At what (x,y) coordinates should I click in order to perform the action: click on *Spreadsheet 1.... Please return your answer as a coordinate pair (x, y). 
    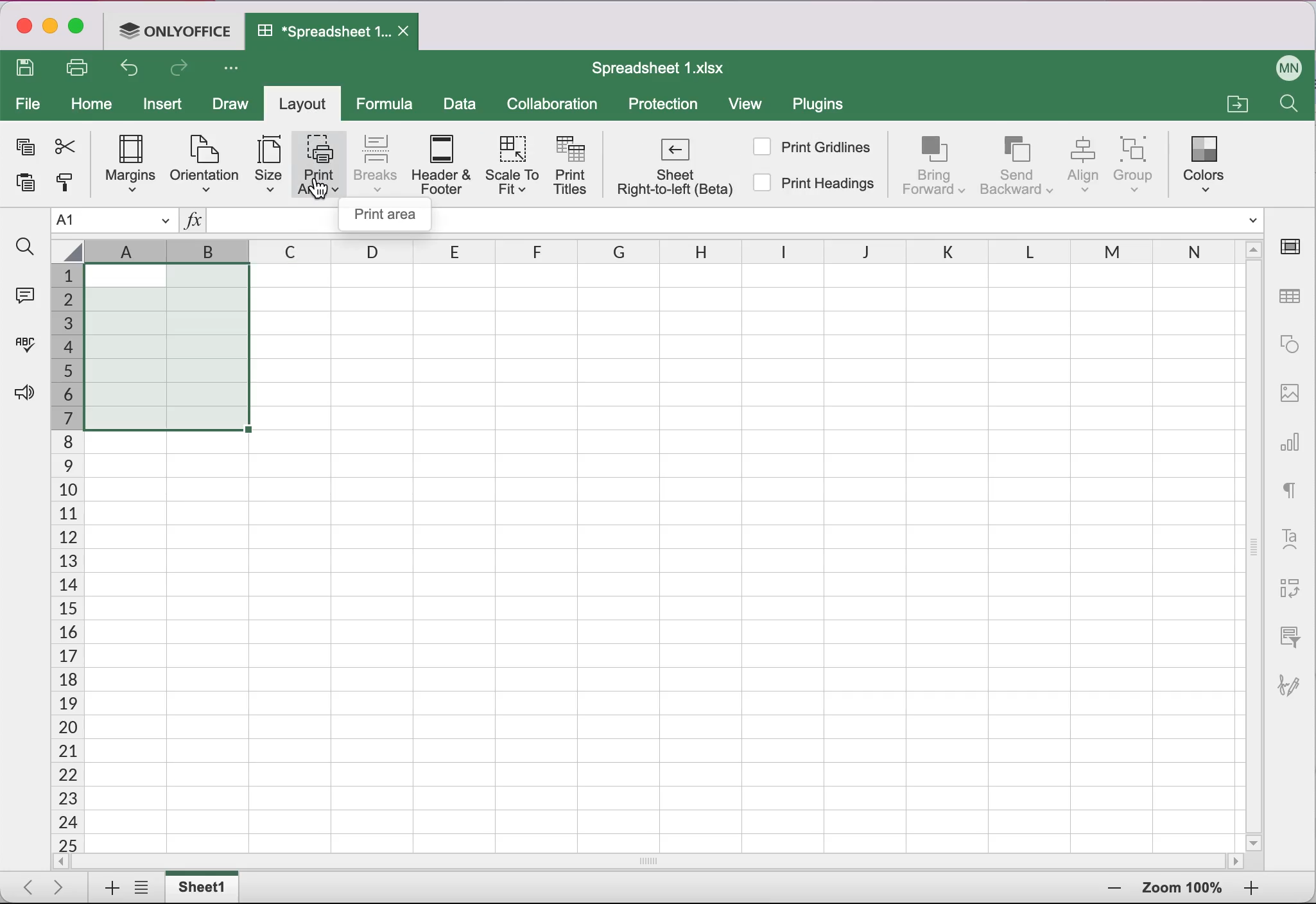
    Looking at the image, I should click on (318, 31).